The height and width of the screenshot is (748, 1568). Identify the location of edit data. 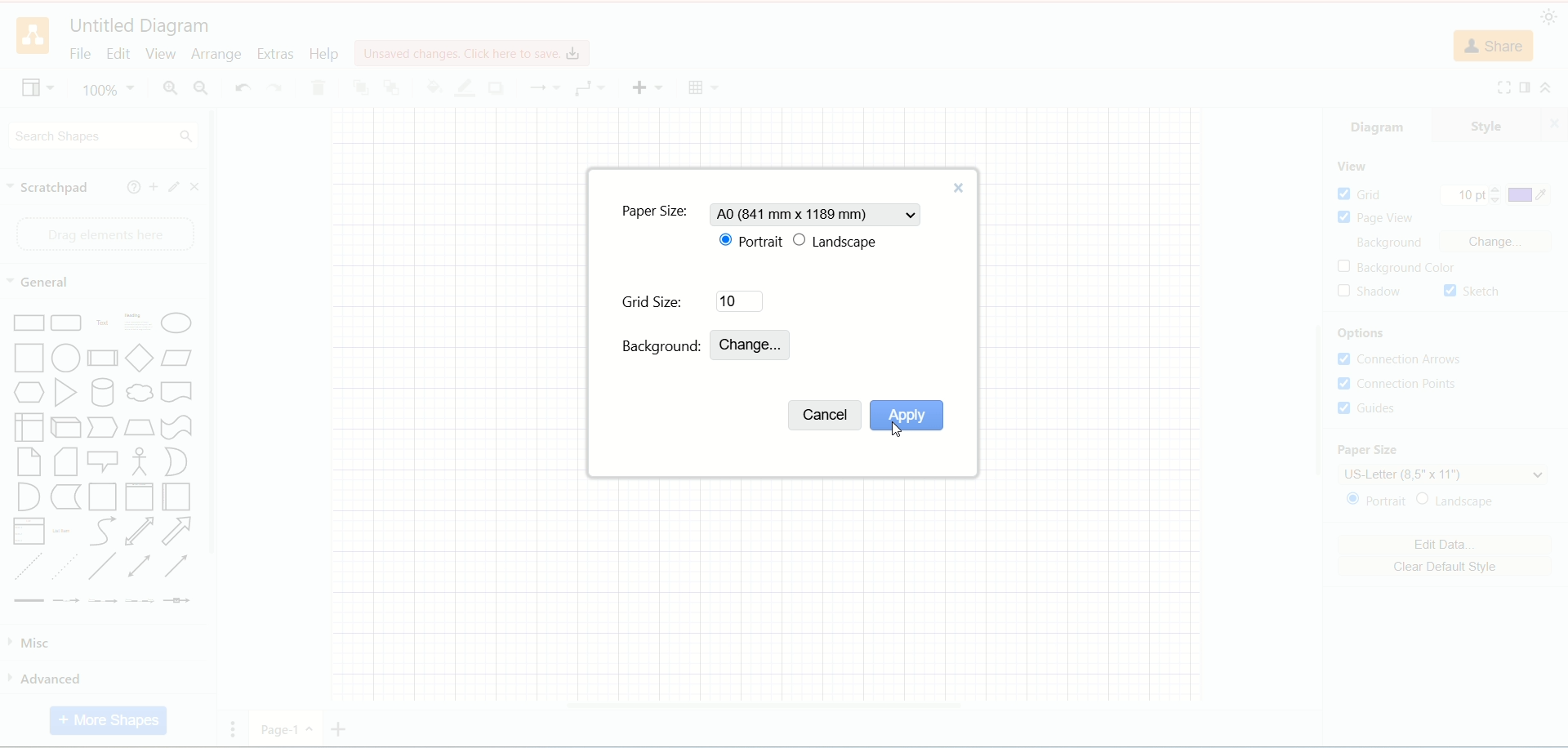
(1444, 546).